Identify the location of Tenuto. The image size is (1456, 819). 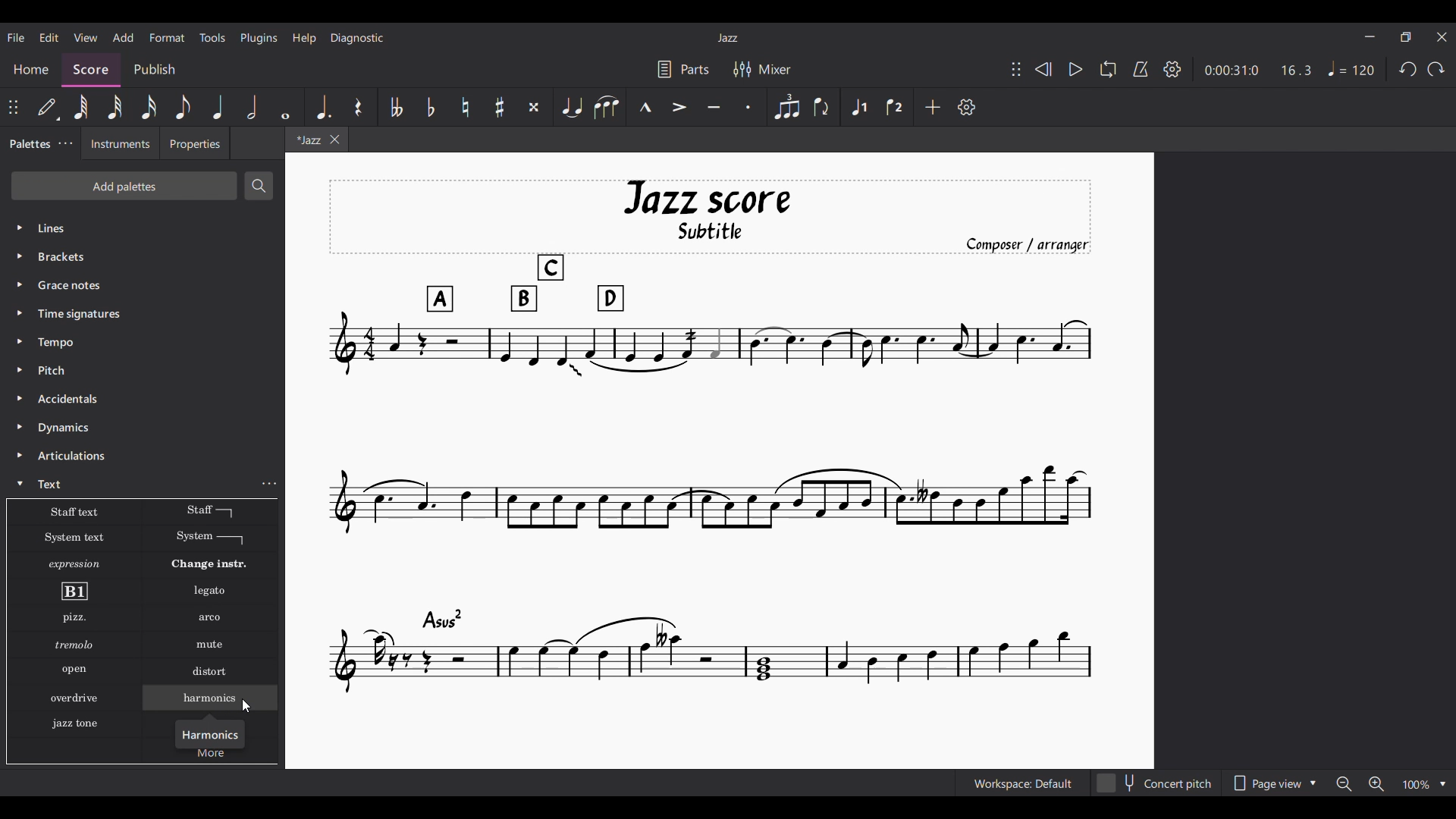
(714, 107).